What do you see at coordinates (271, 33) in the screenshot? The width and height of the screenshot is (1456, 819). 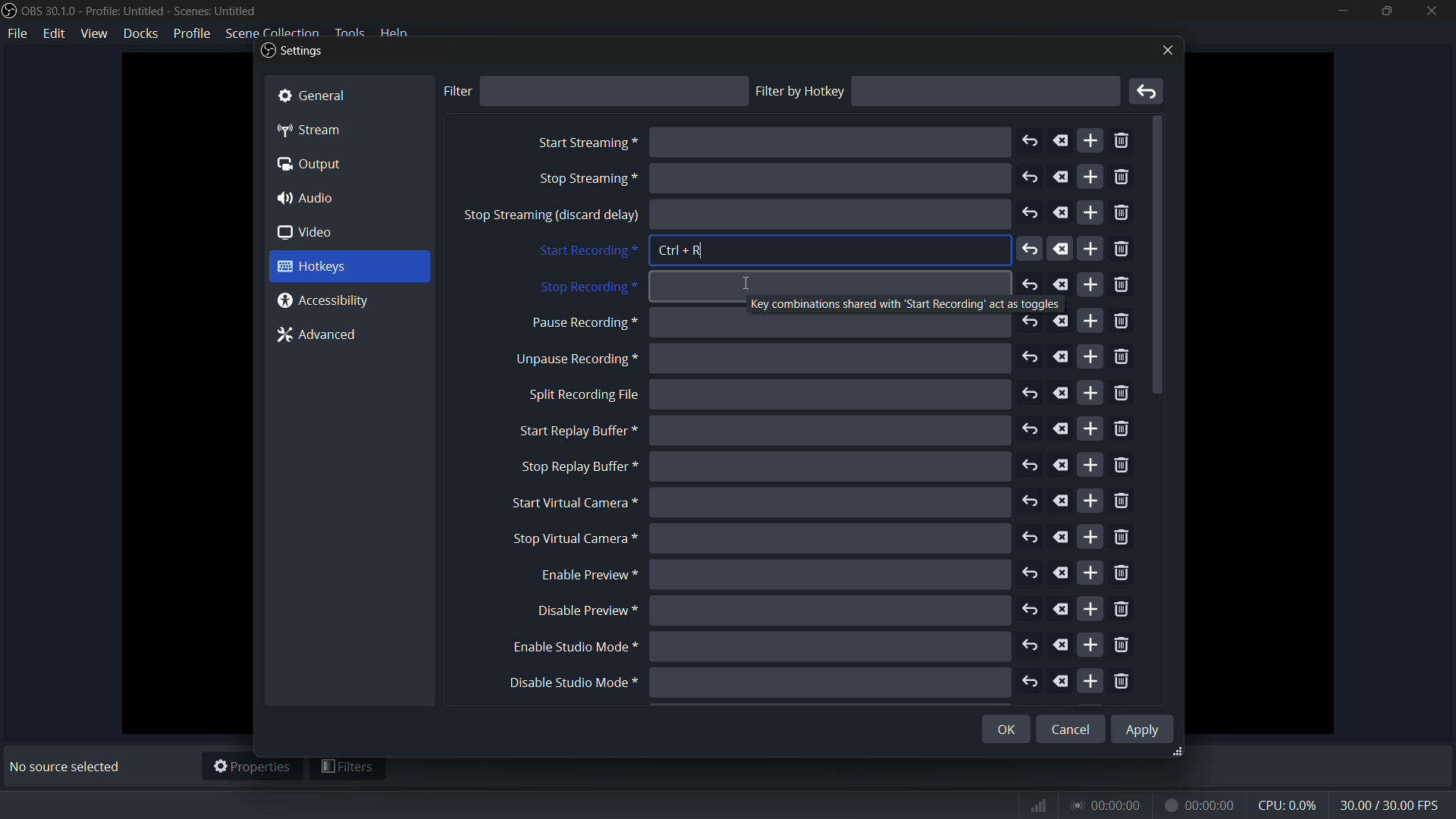 I see `scene collection menu` at bounding box center [271, 33].